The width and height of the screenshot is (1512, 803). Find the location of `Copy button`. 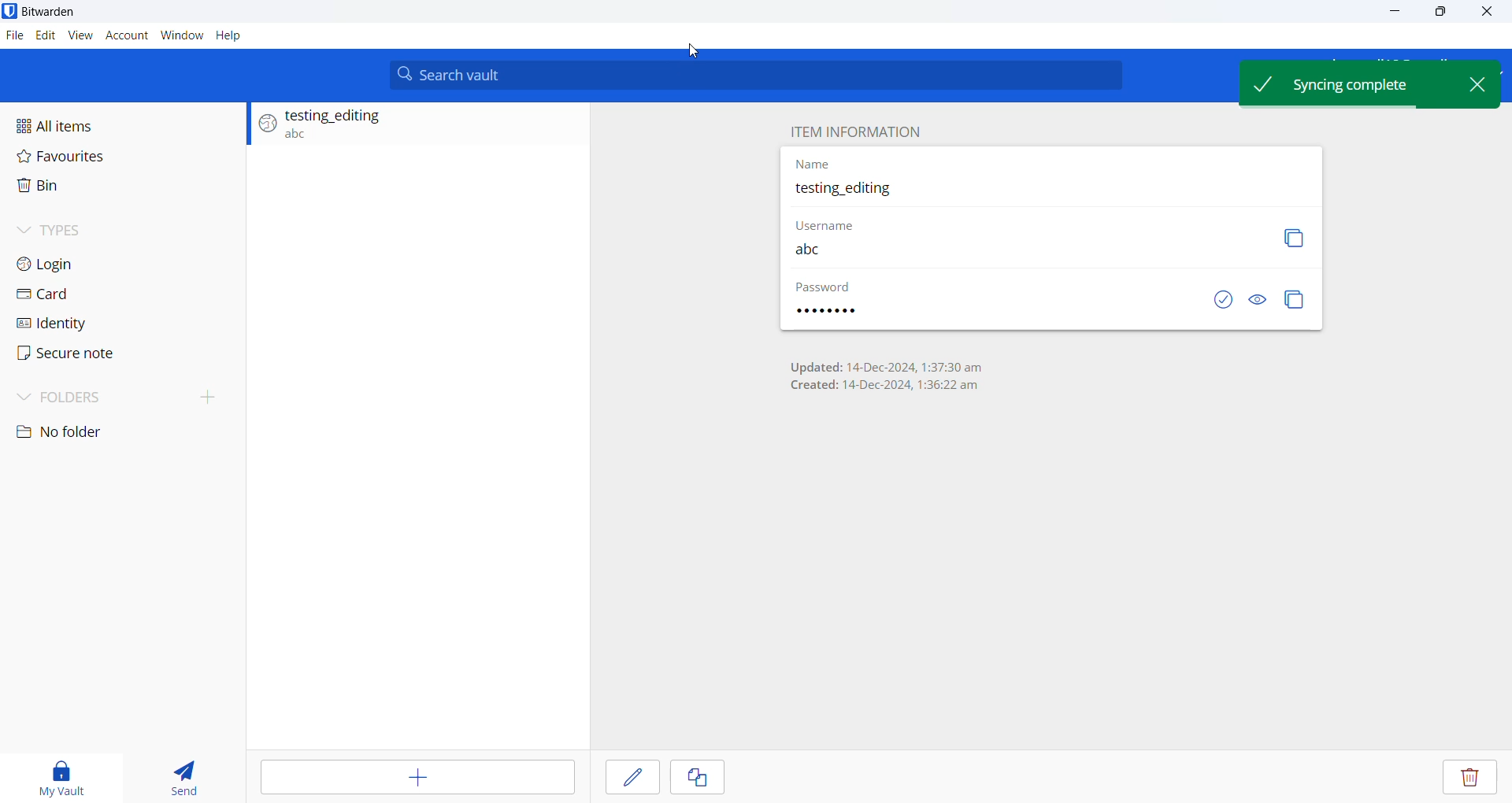

Copy button is located at coordinates (1295, 238).